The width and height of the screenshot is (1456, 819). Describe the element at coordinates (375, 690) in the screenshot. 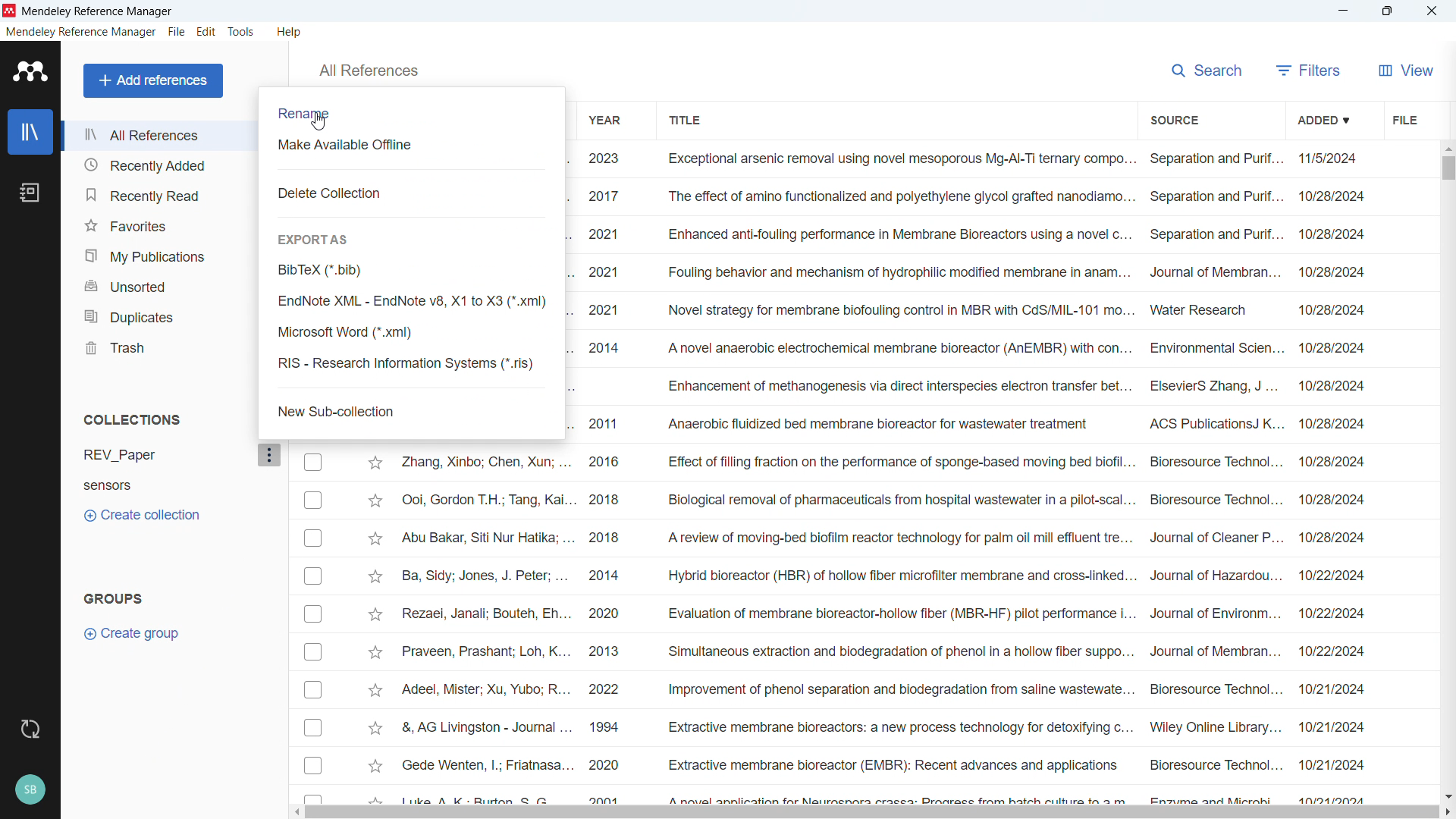

I see `Star mark respective publication` at that location.